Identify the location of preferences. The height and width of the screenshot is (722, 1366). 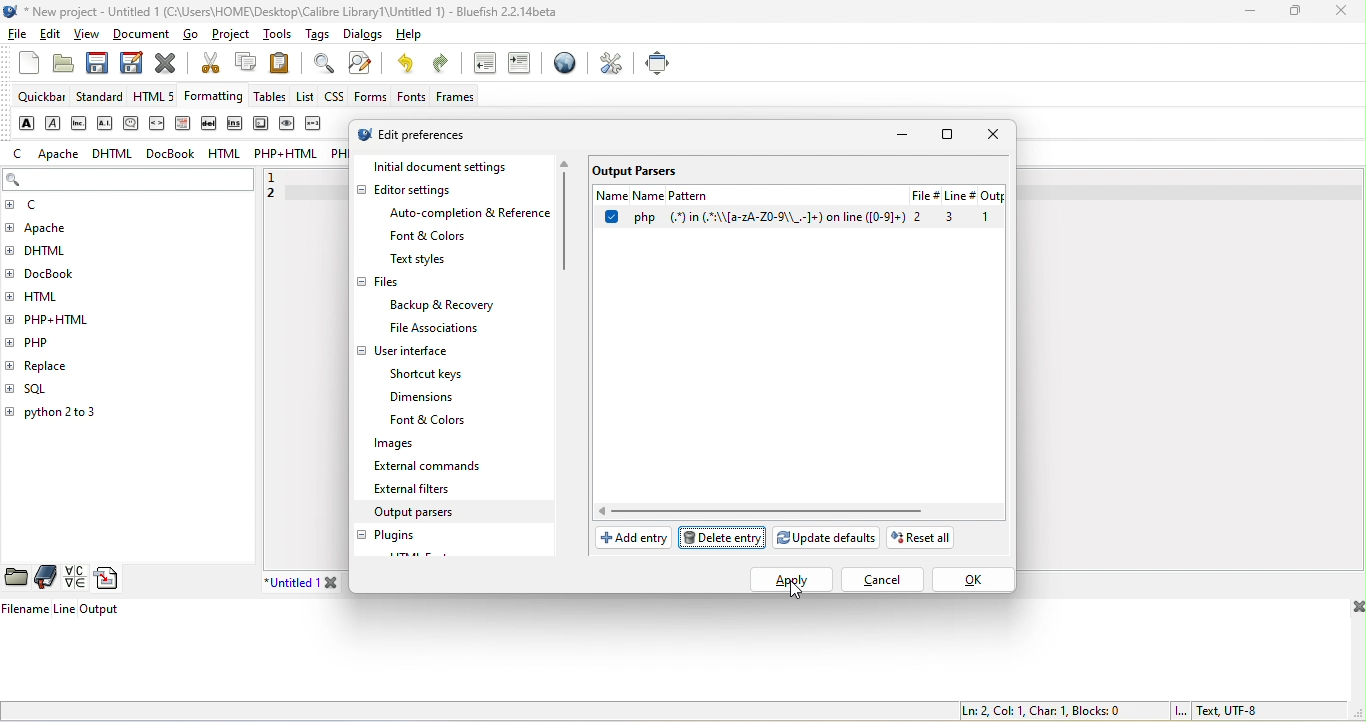
(612, 63).